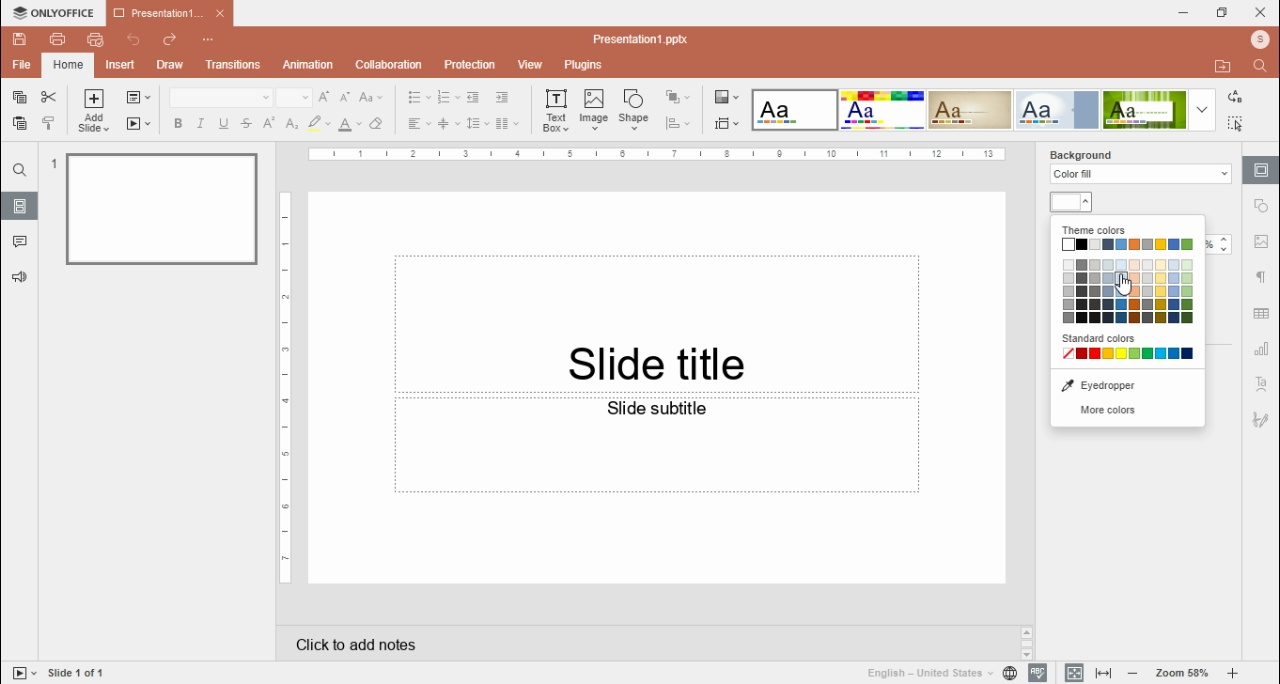 The height and width of the screenshot is (684, 1280). Describe the element at coordinates (326, 98) in the screenshot. I see `increment font size` at that location.